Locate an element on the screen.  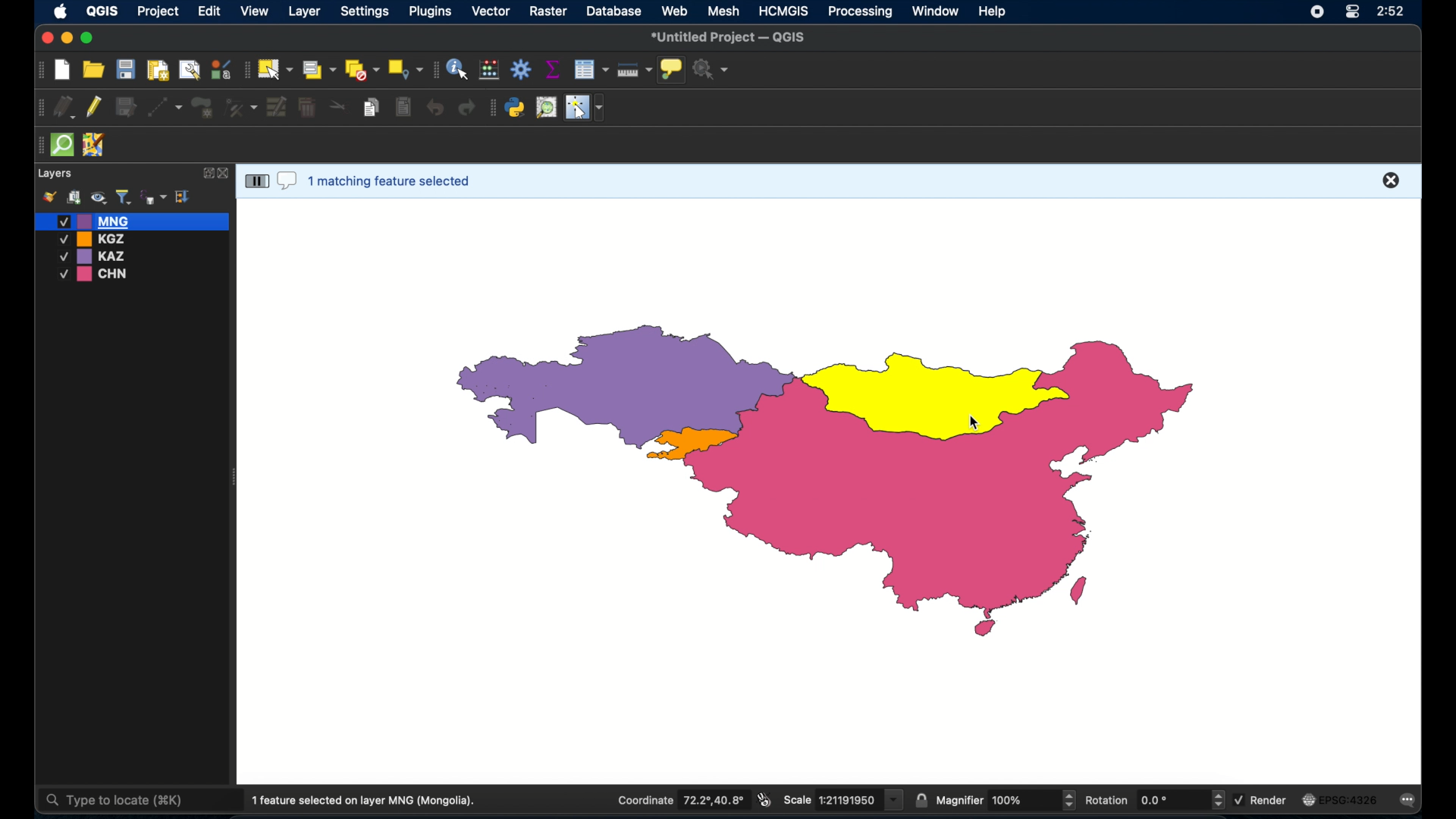
deselect all features is located at coordinates (362, 70).